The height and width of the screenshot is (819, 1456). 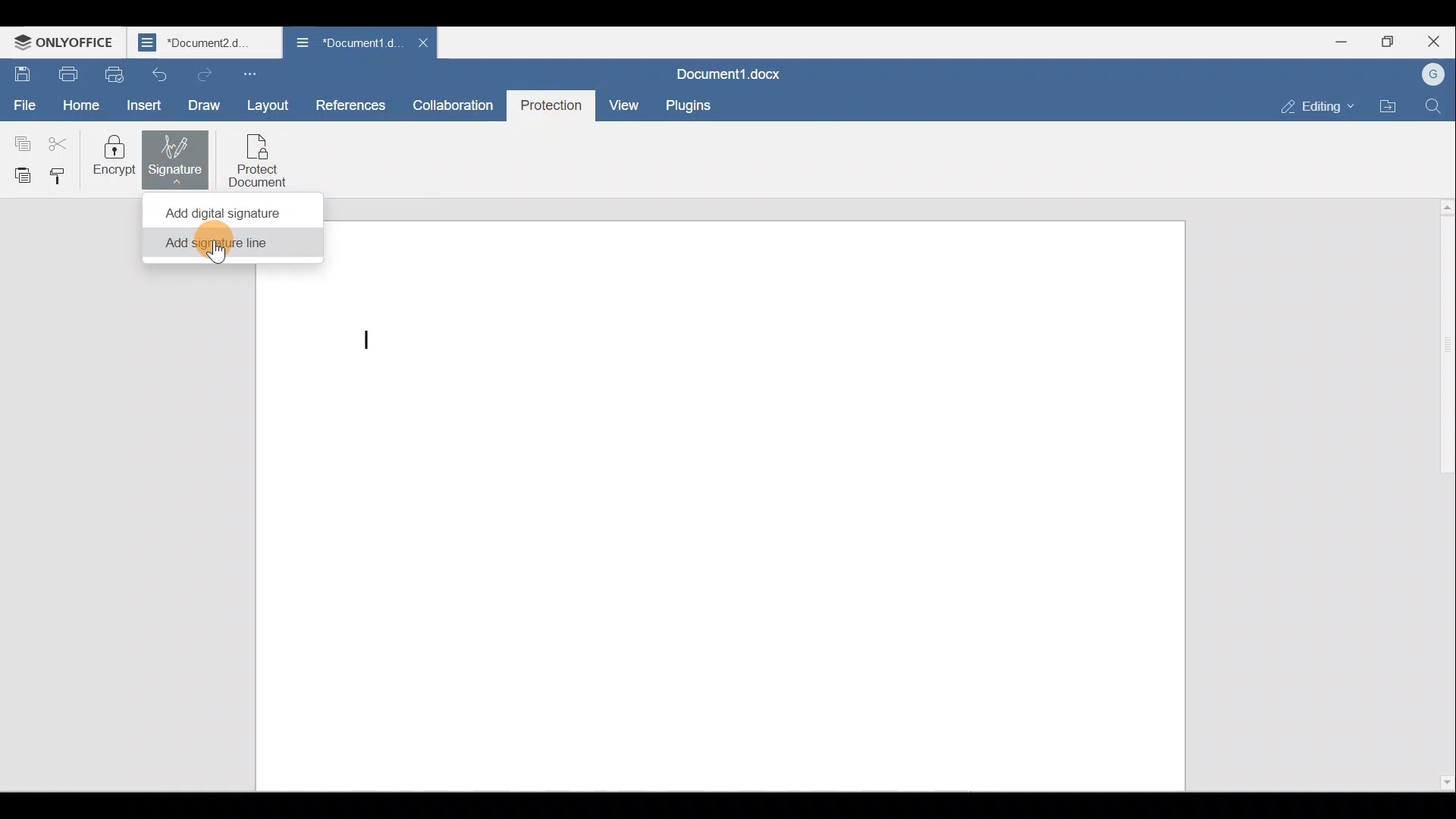 What do you see at coordinates (453, 105) in the screenshot?
I see `Collaboration` at bounding box center [453, 105].